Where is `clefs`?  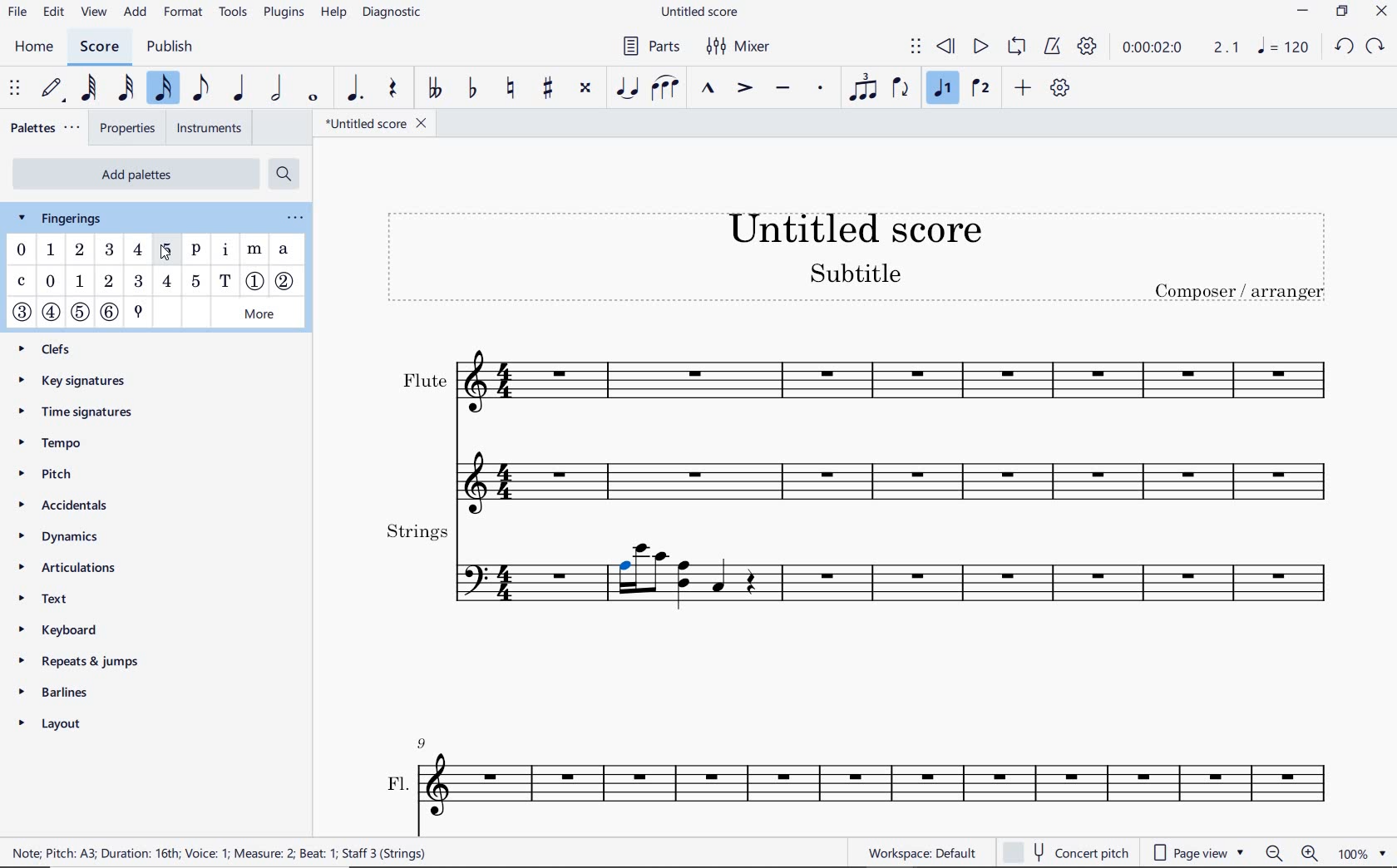 clefs is located at coordinates (62, 348).